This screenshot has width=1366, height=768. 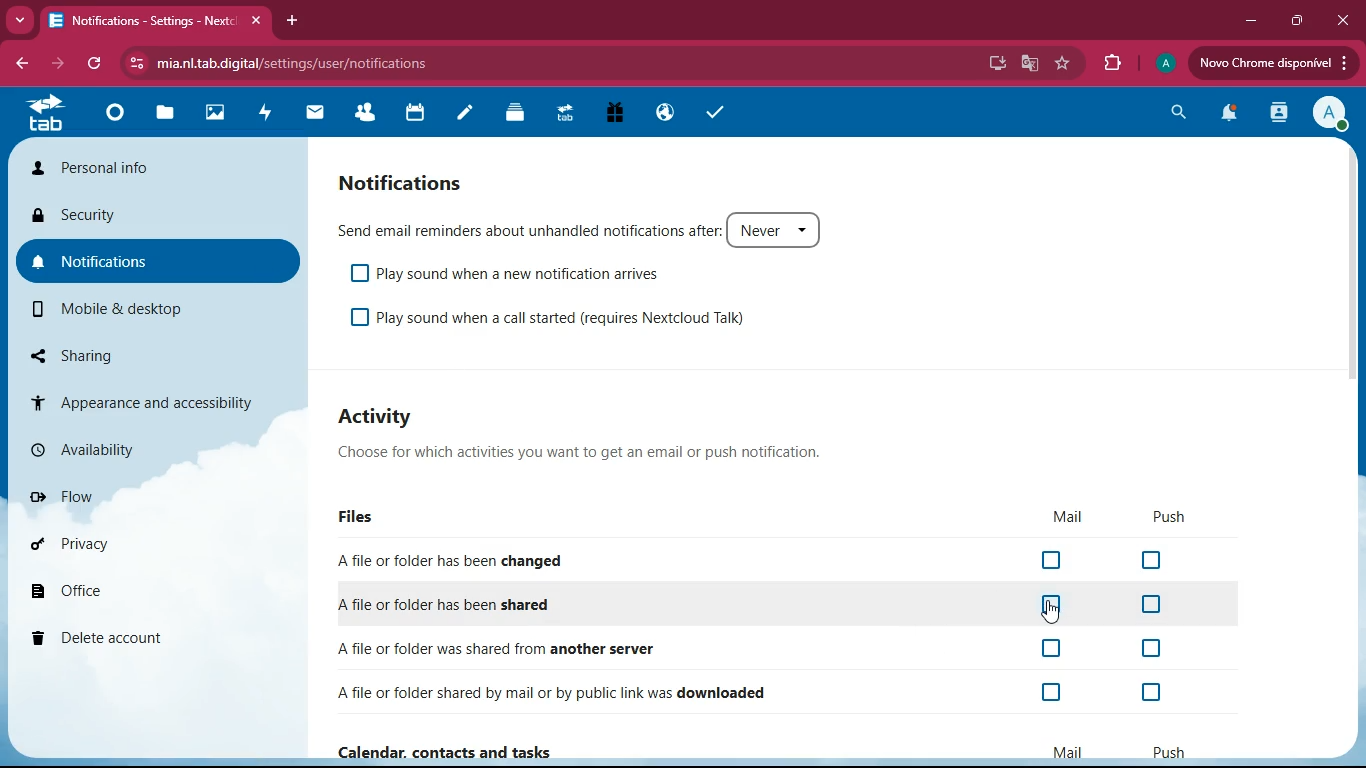 What do you see at coordinates (145, 590) in the screenshot?
I see `office` at bounding box center [145, 590].